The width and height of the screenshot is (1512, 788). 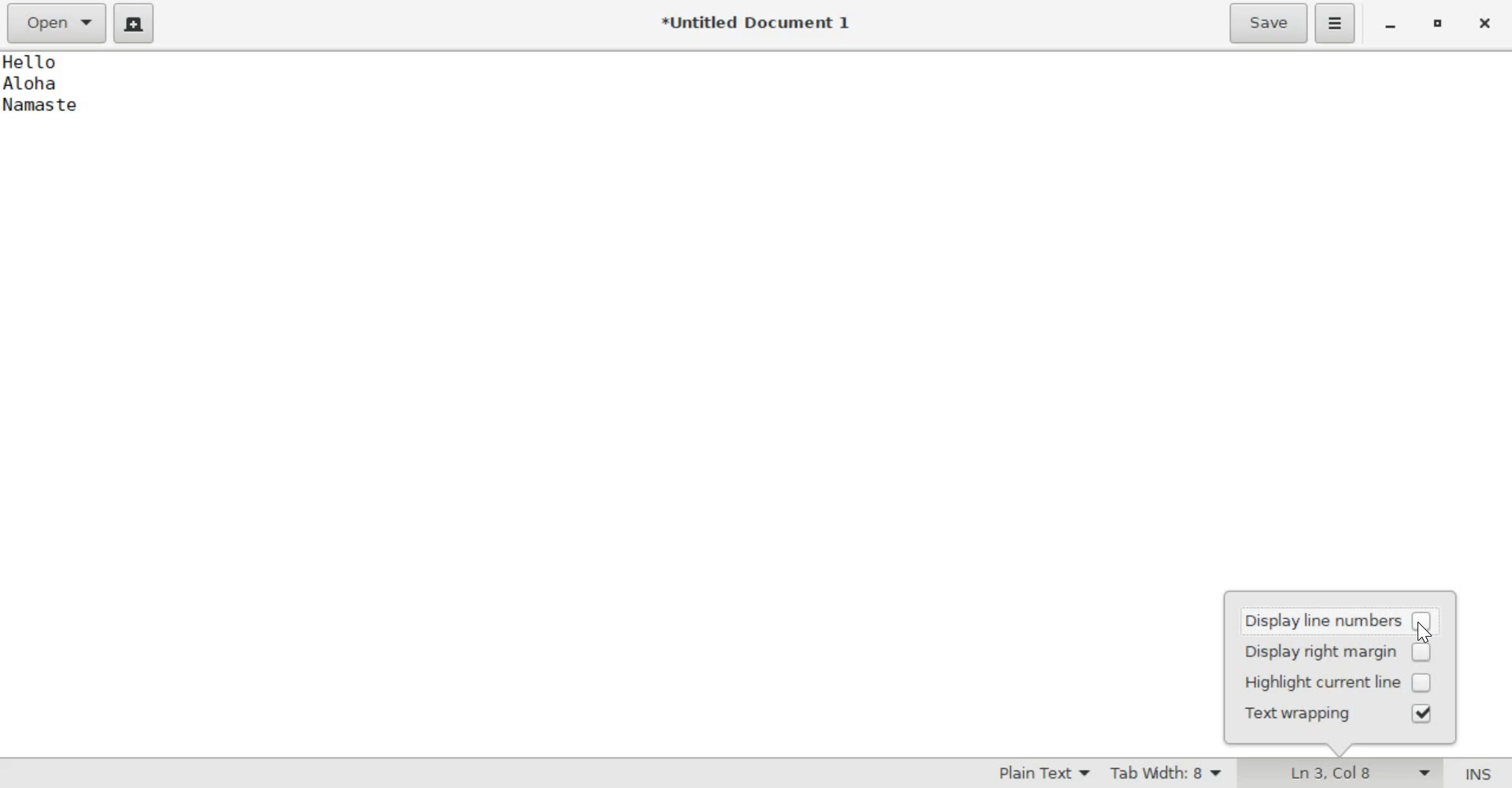 I want to click on Hello Aloha Namaste, so click(x=752, y=253).